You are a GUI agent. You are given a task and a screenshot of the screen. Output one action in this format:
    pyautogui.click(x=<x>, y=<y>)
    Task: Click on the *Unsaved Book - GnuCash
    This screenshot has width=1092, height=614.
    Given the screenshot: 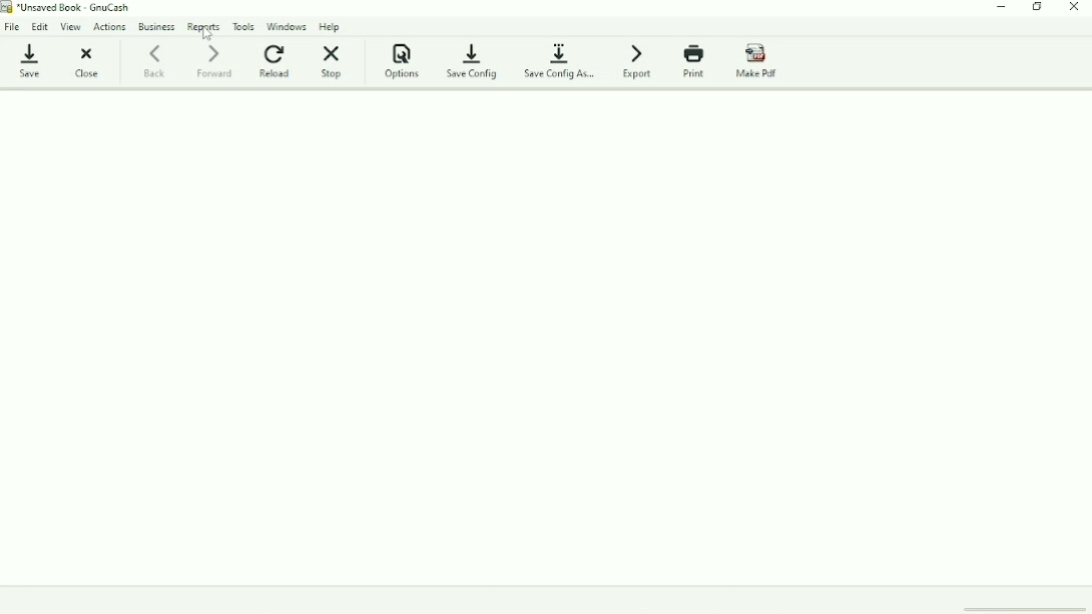 What is the action you would take?
    pyautogui.click(x=76, y=8)
    